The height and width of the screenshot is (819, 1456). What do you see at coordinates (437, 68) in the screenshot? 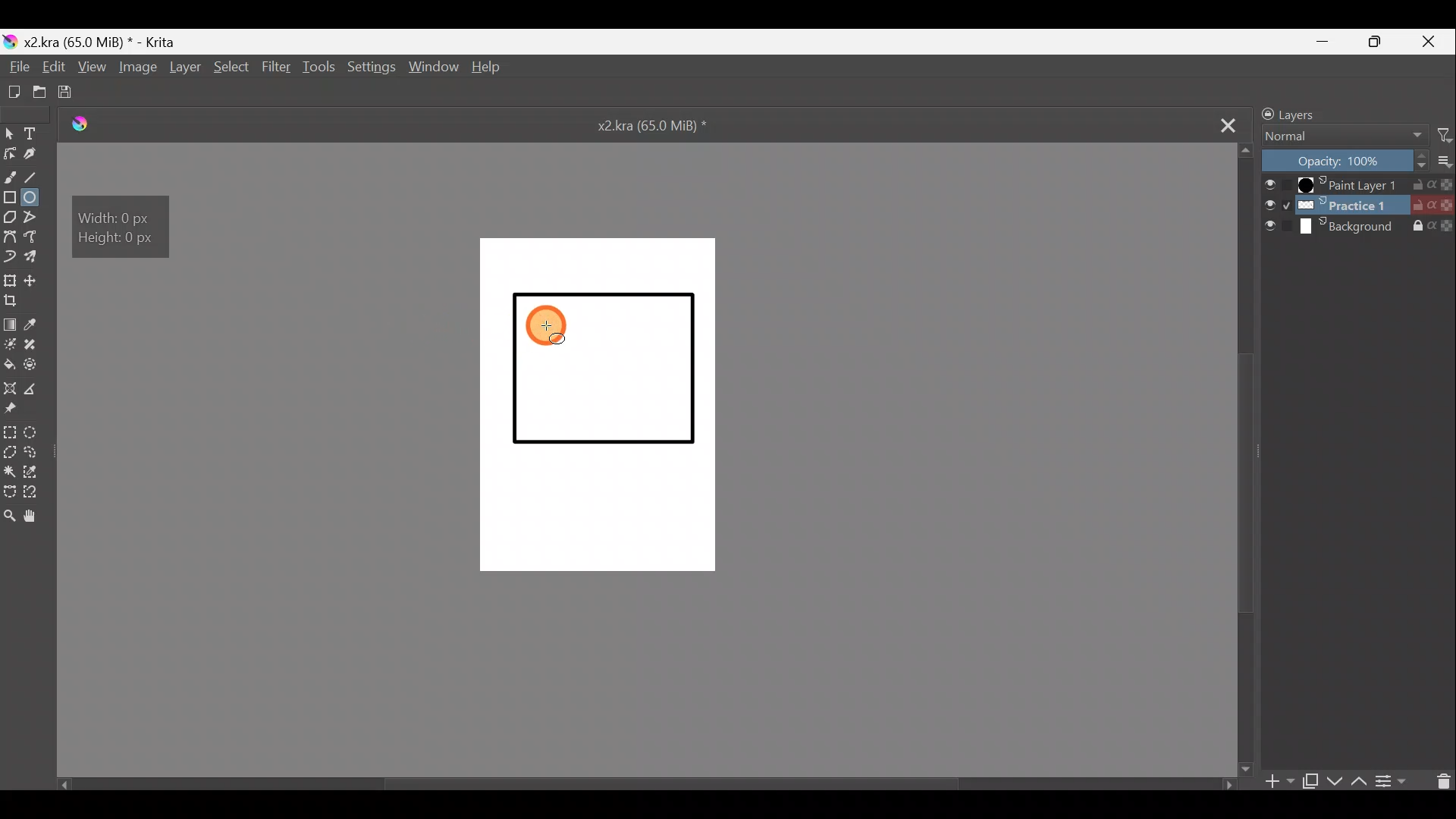
I see `Window` at bounding box center [437, 68].